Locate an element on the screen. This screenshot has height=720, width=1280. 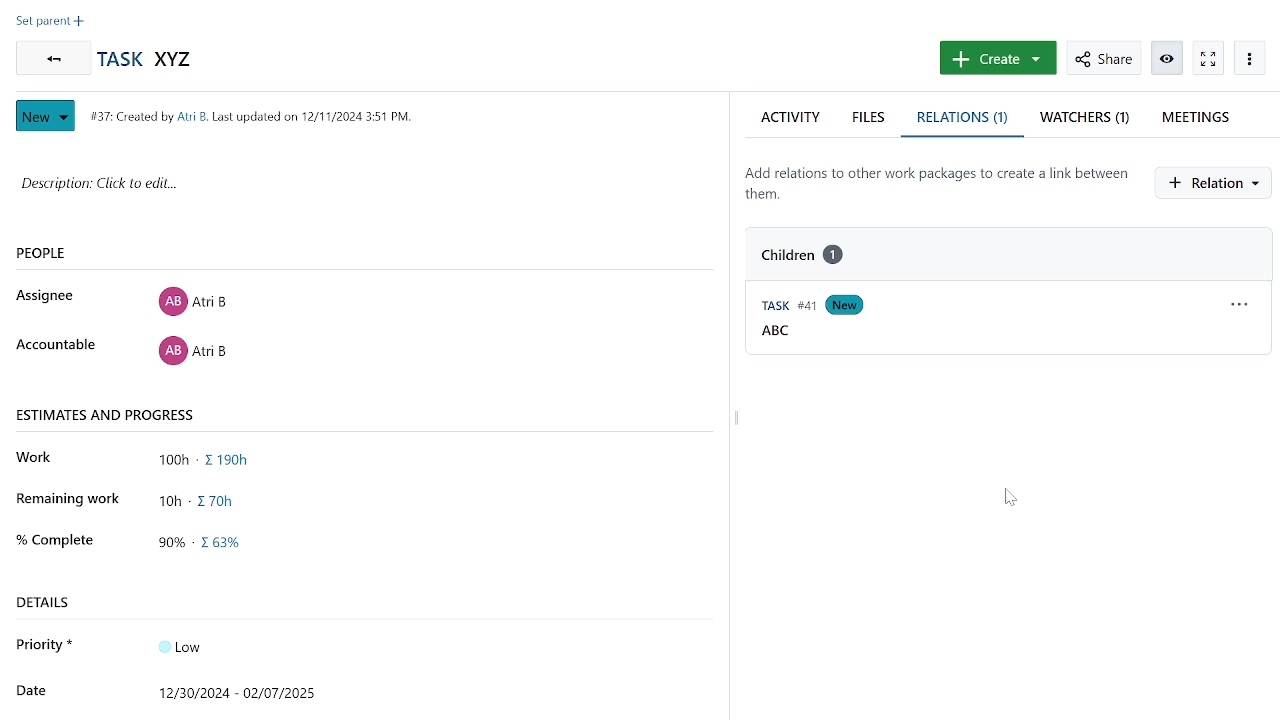
accountable is located at coordinates (192, 354).